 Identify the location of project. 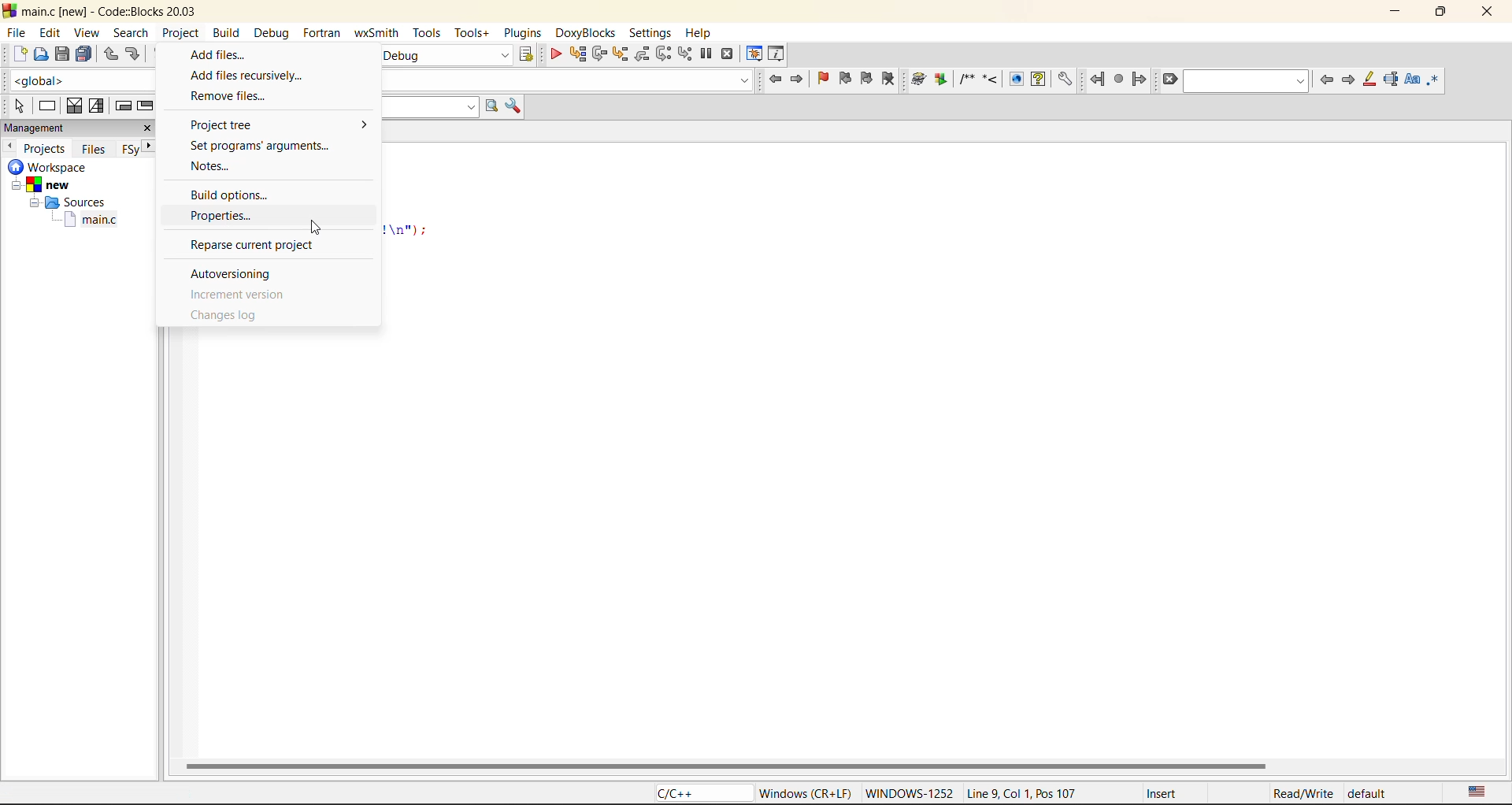
(182, 31).